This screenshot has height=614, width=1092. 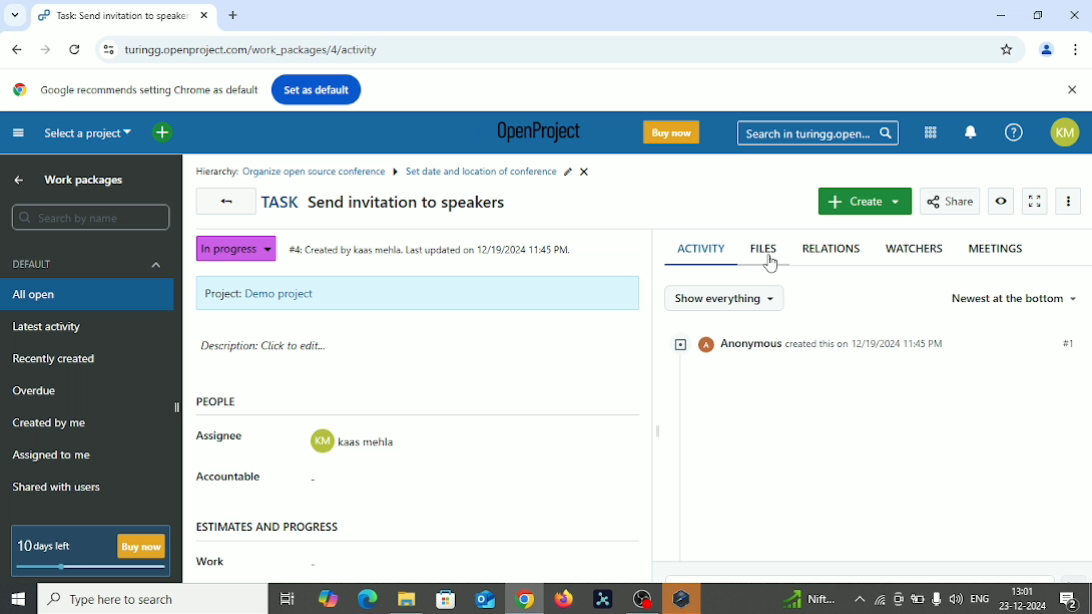 What do you see at coordinates (971, 130) in the screenshot?
I see `To notification center` at bounding box center [971, 130].